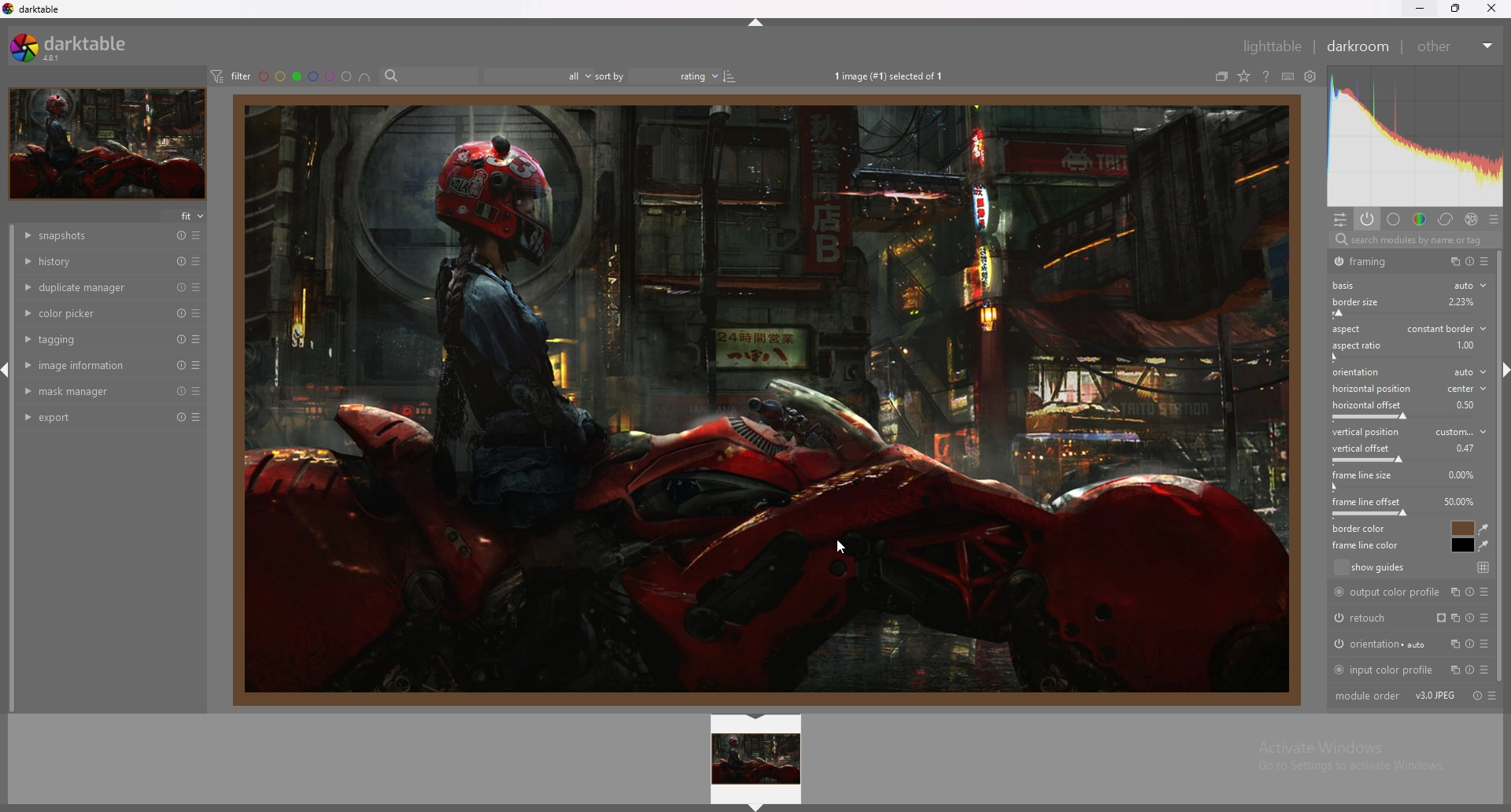  I want to click on darkroom, so click(1357, 46).